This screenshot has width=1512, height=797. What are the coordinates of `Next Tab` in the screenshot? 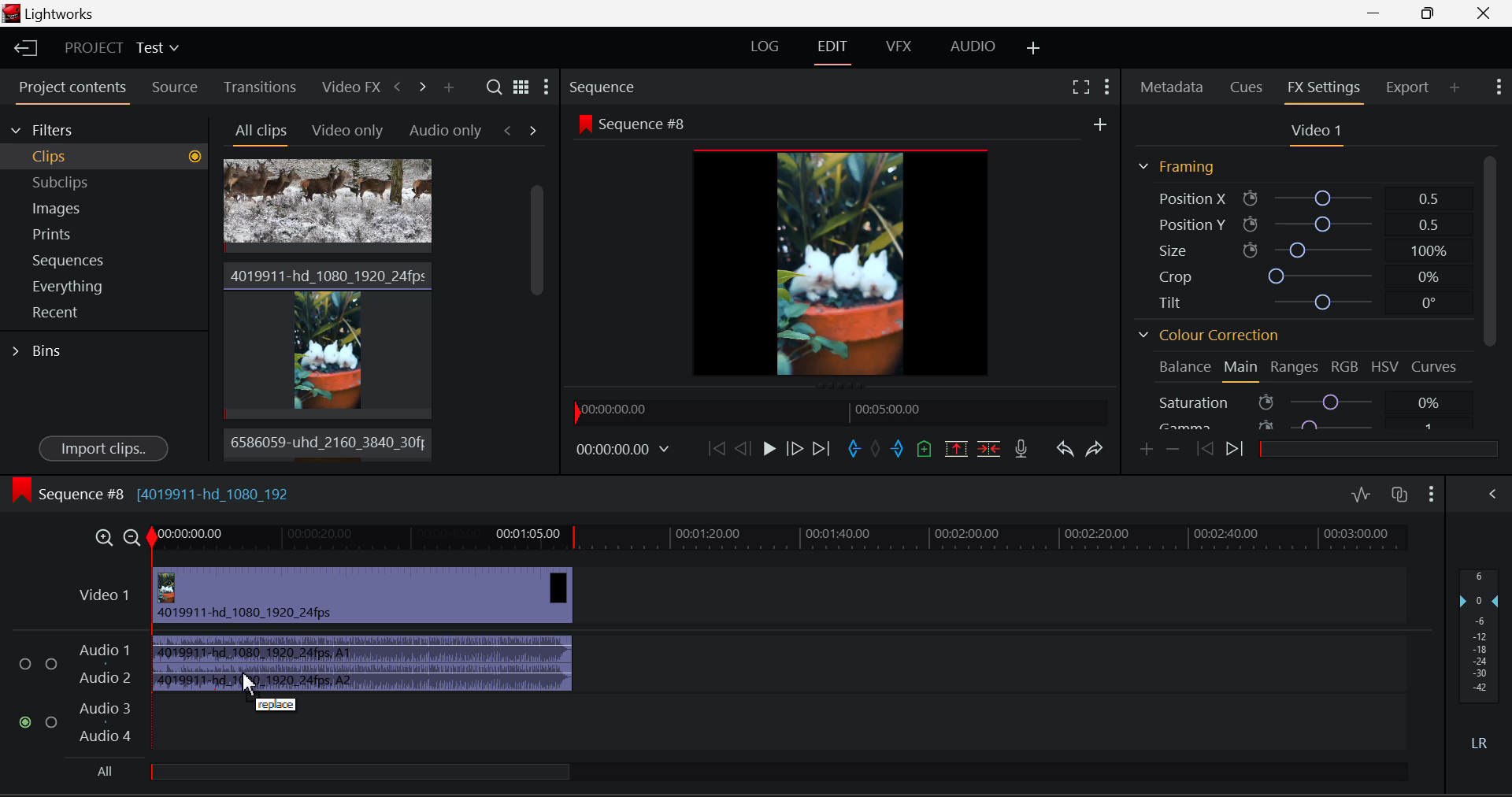 It's located at (533, 130).